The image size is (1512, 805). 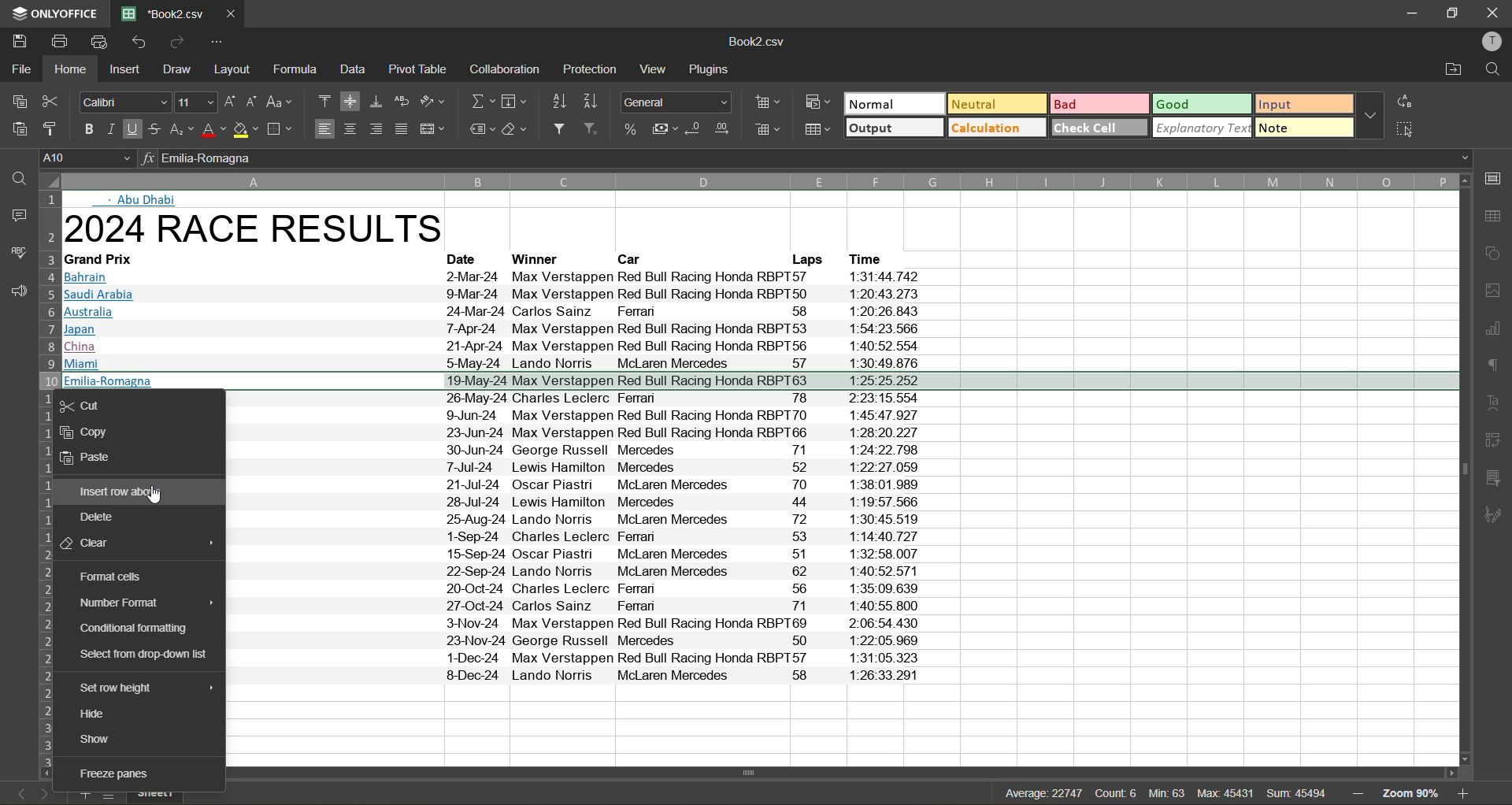 What do you see at coordinates (1497, 253) in the screenshot?
I see `shapes` at bounding box center [1497, 253].